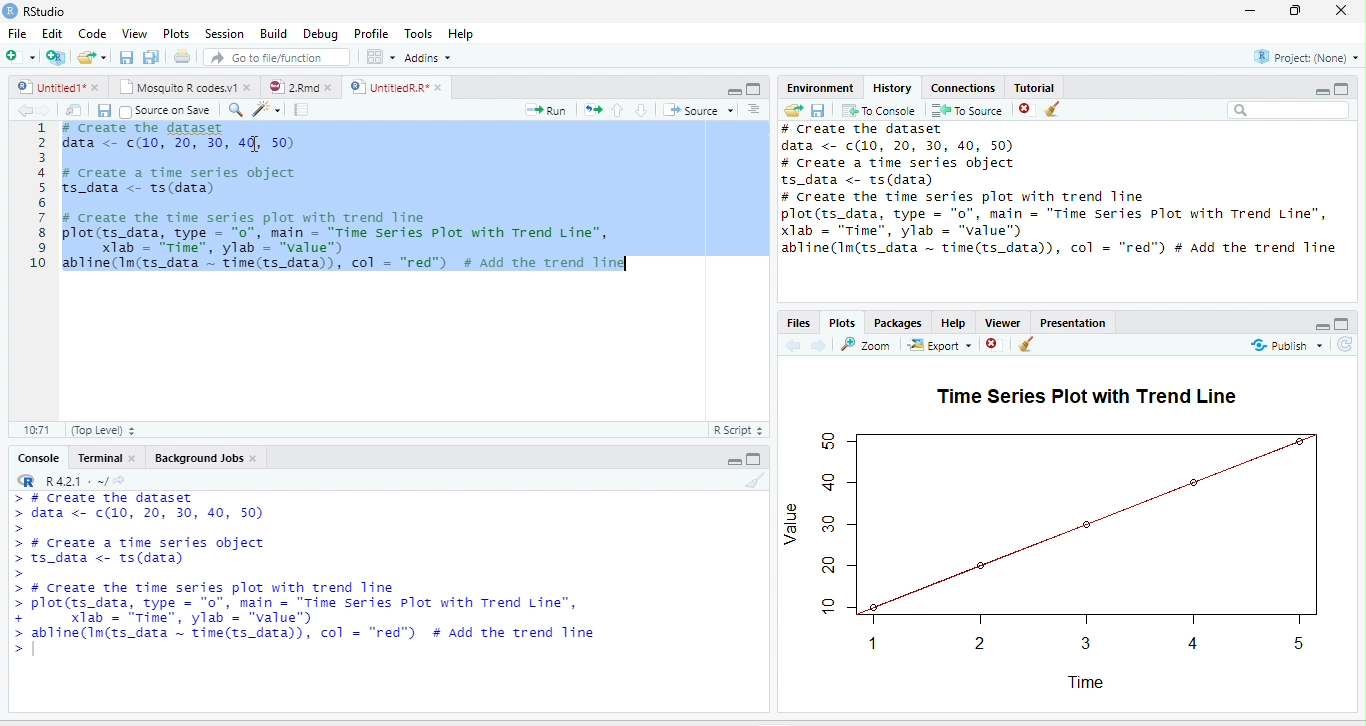 The height and width of the screenshot is (726, 1366). What do you see at coordinates (27, 480) in the screenshot?
I see `R` at bounding box center [27, 480].